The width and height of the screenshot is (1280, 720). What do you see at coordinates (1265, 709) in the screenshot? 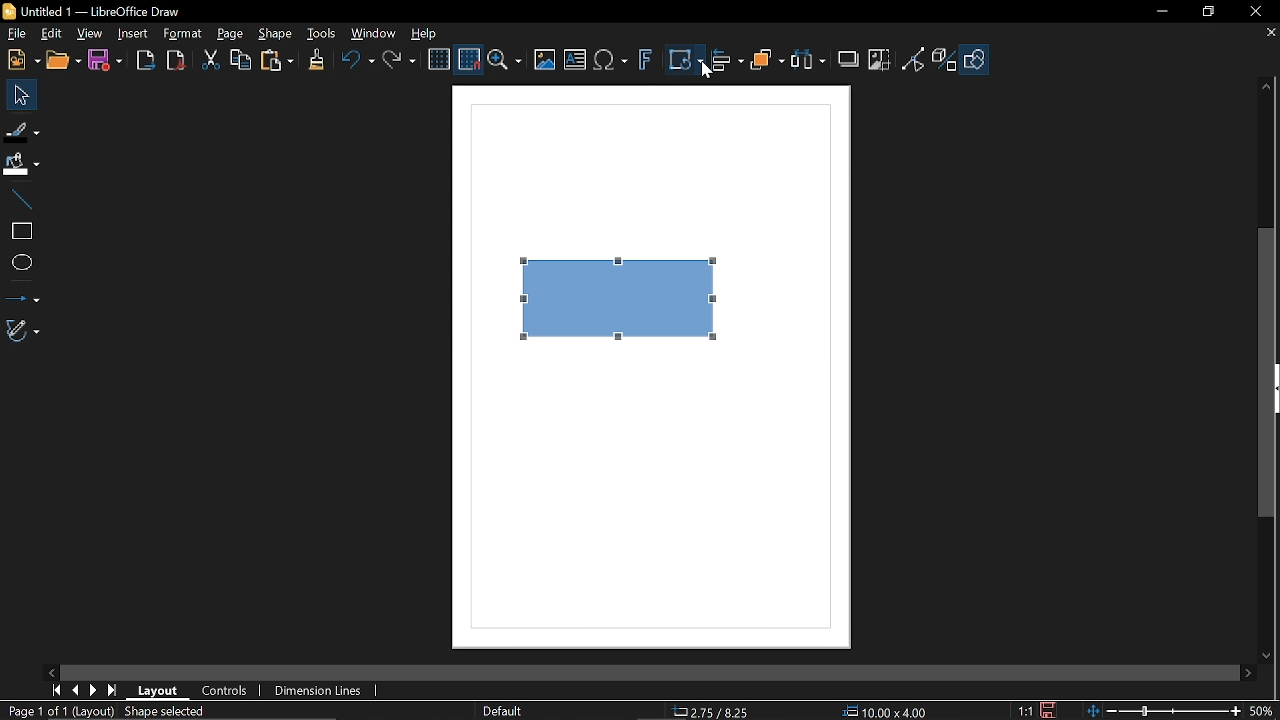
I see `50% (Current Zoom)` at bounding box center [1265, 709].